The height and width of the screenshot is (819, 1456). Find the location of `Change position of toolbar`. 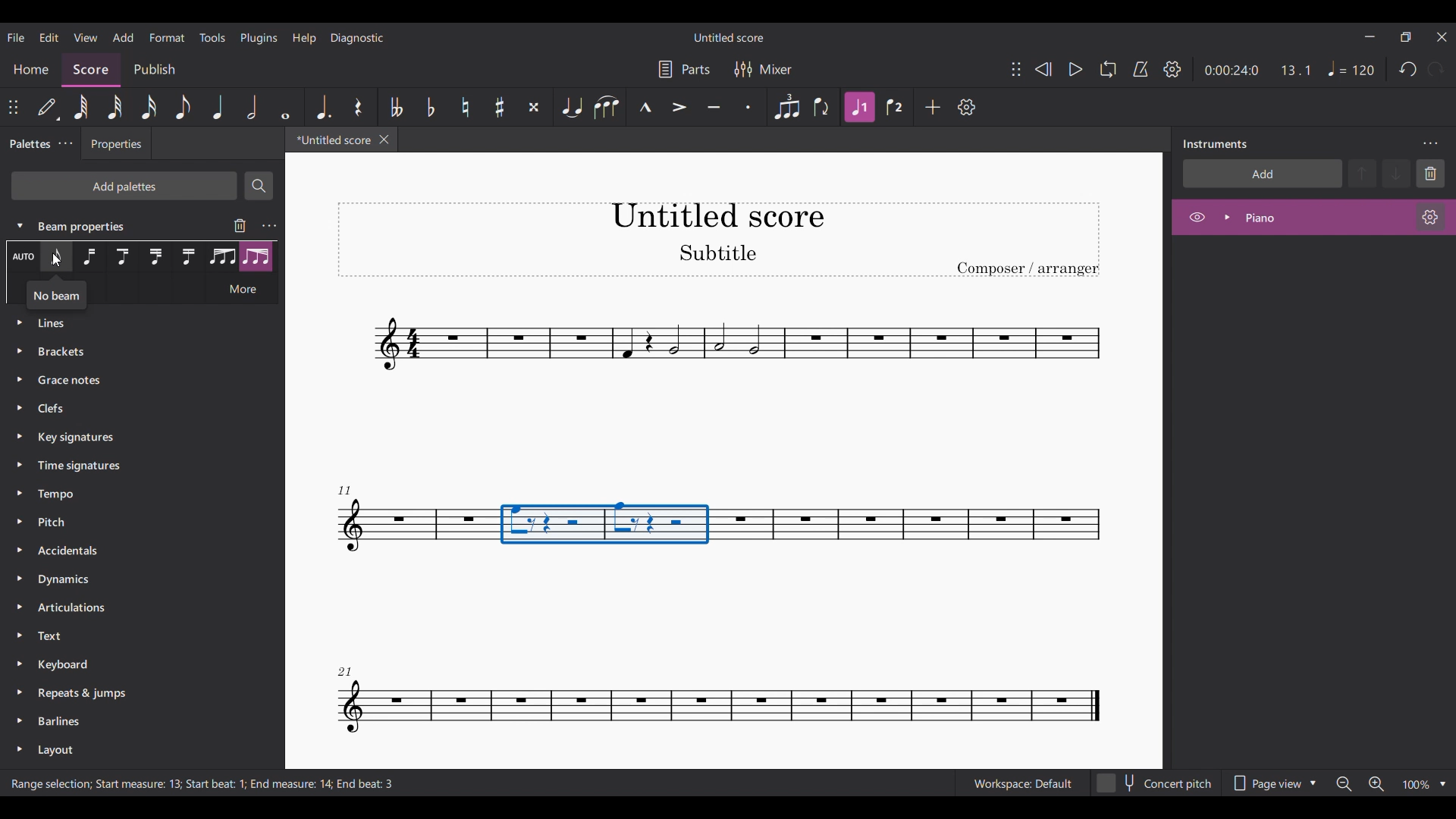

Change position of toolbar is located at coordinates (14, 107).